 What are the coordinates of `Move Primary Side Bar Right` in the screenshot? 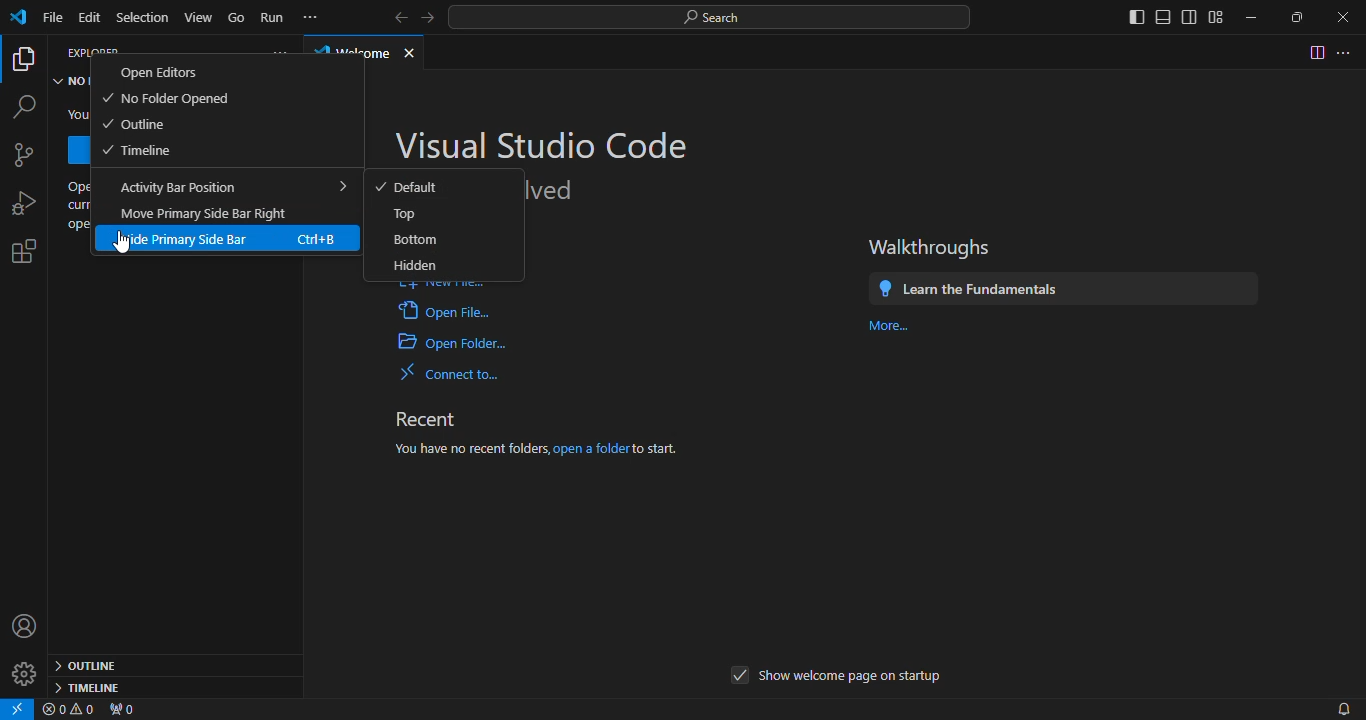 It's located at (204, 213).